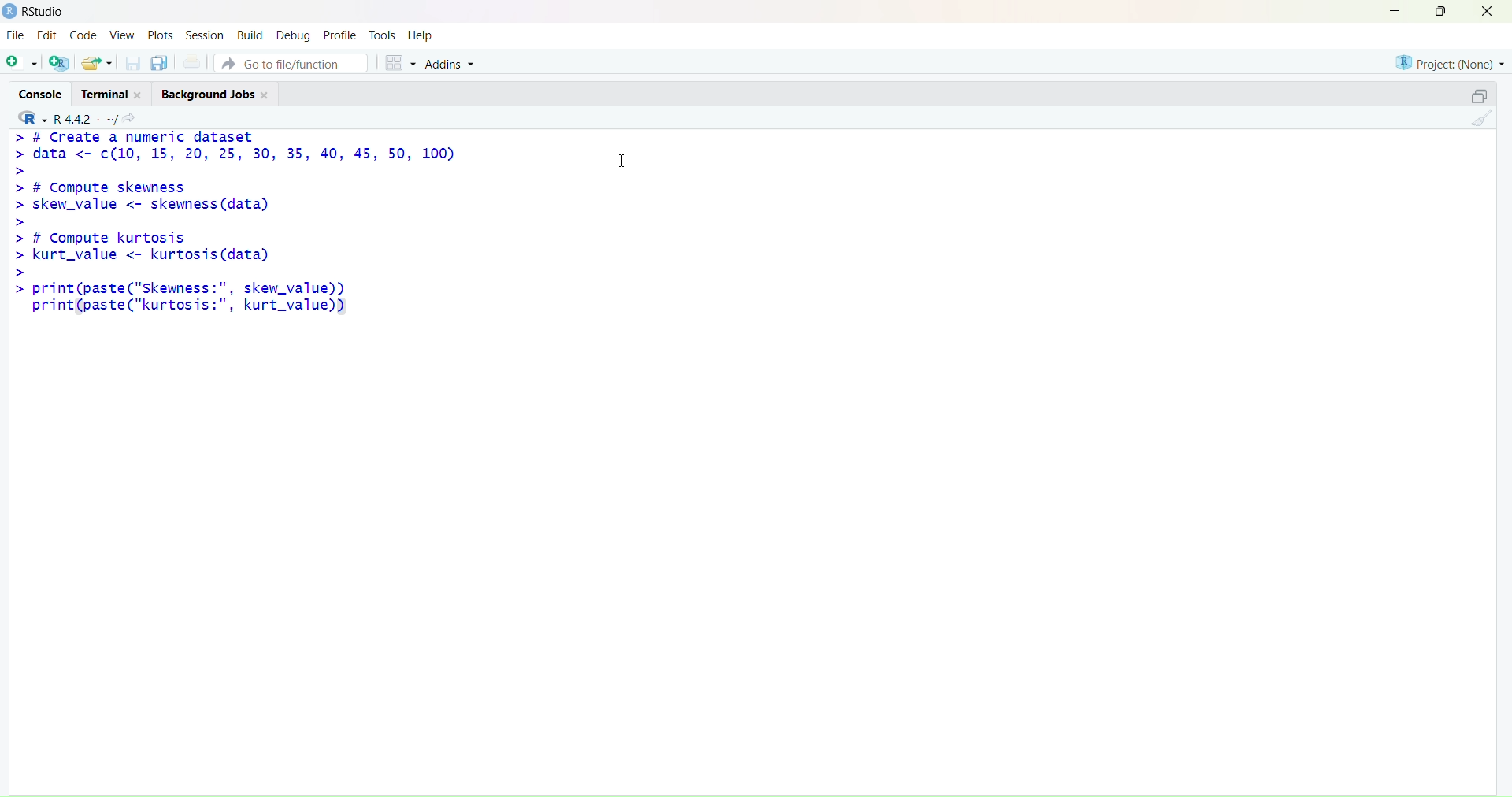 Image resolution: width=1512 pixels, height=797 pixels. I want to click on Project (None), so click(1450, 65).